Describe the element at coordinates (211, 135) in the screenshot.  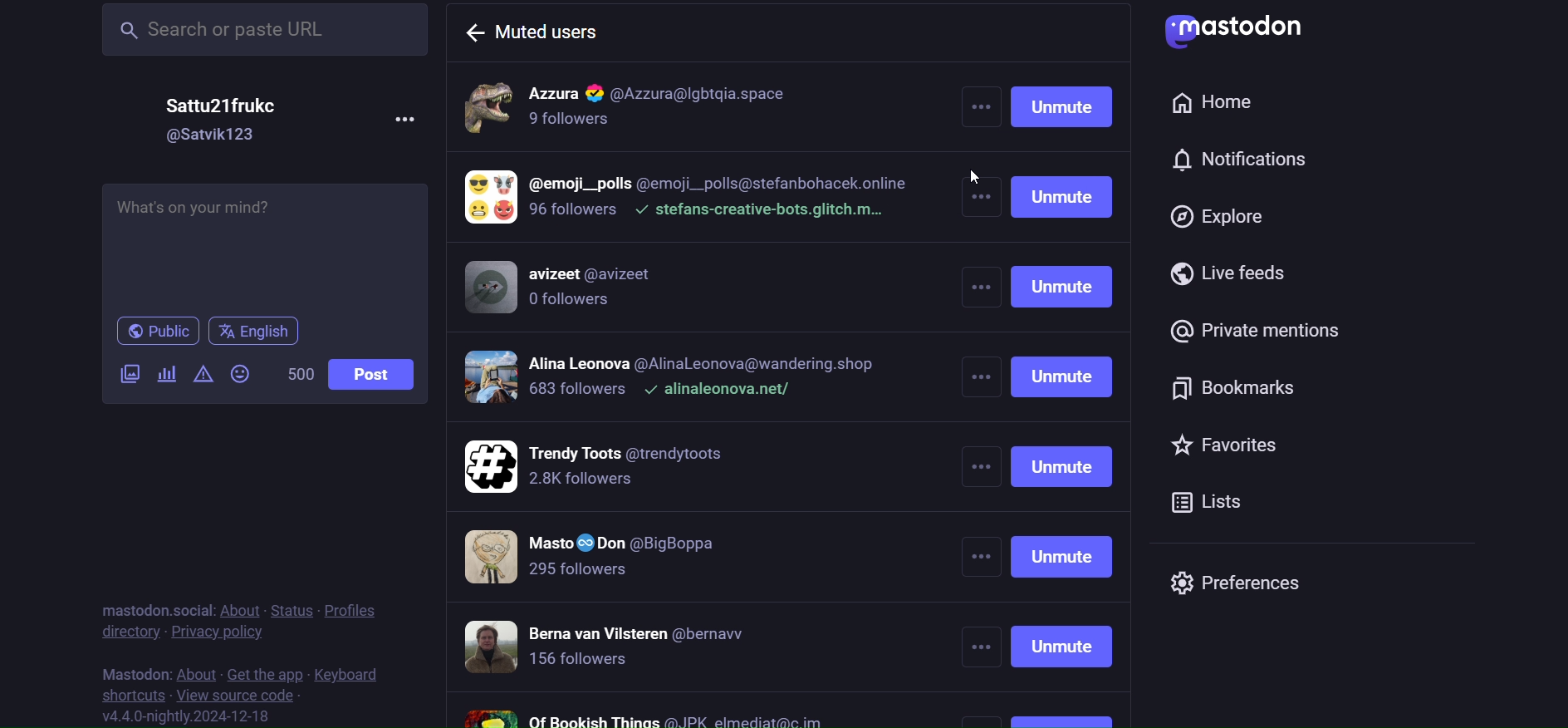
I see `id` at that location.